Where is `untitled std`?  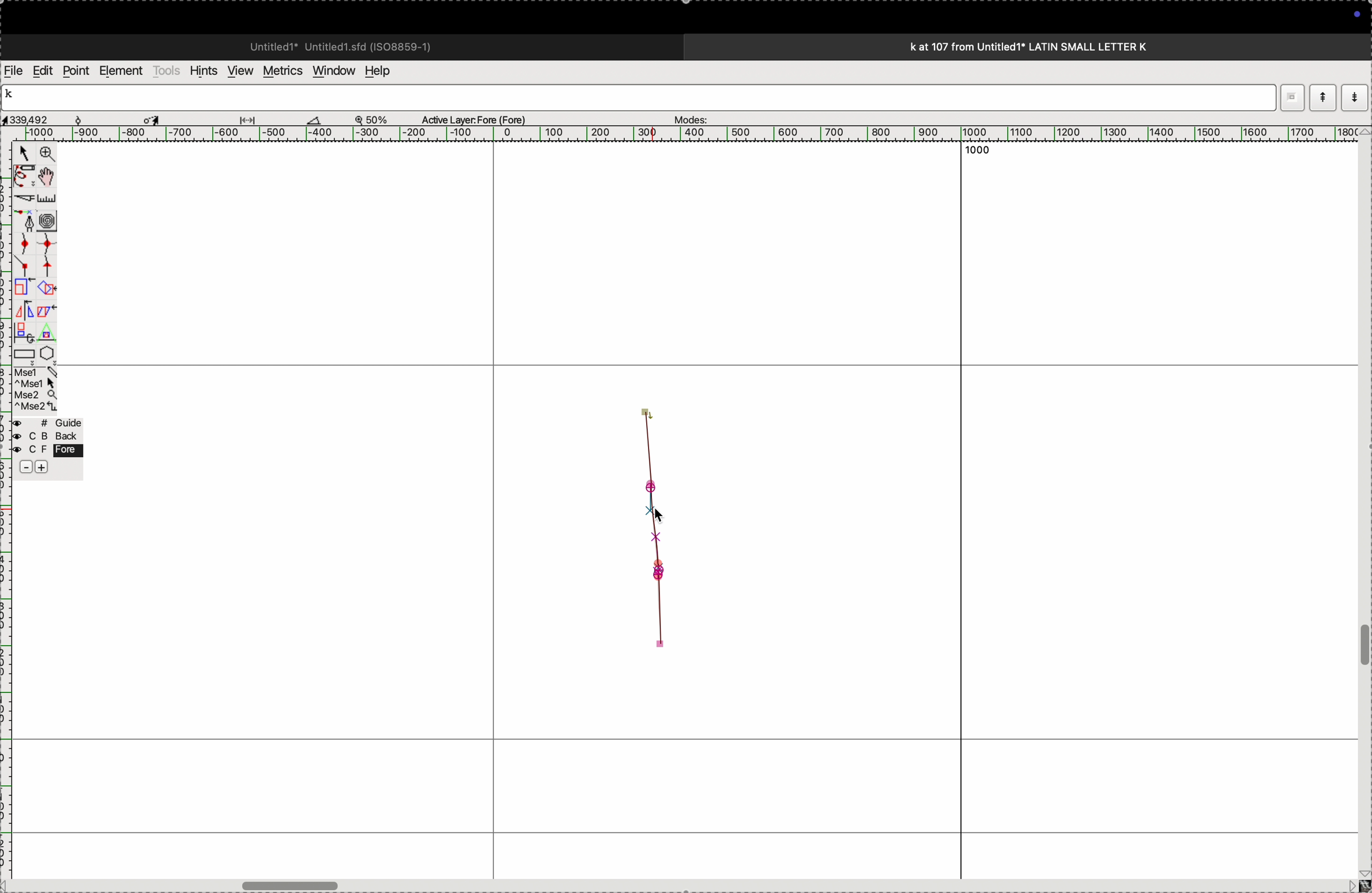
untitled std is located at coordinates (345, 46).